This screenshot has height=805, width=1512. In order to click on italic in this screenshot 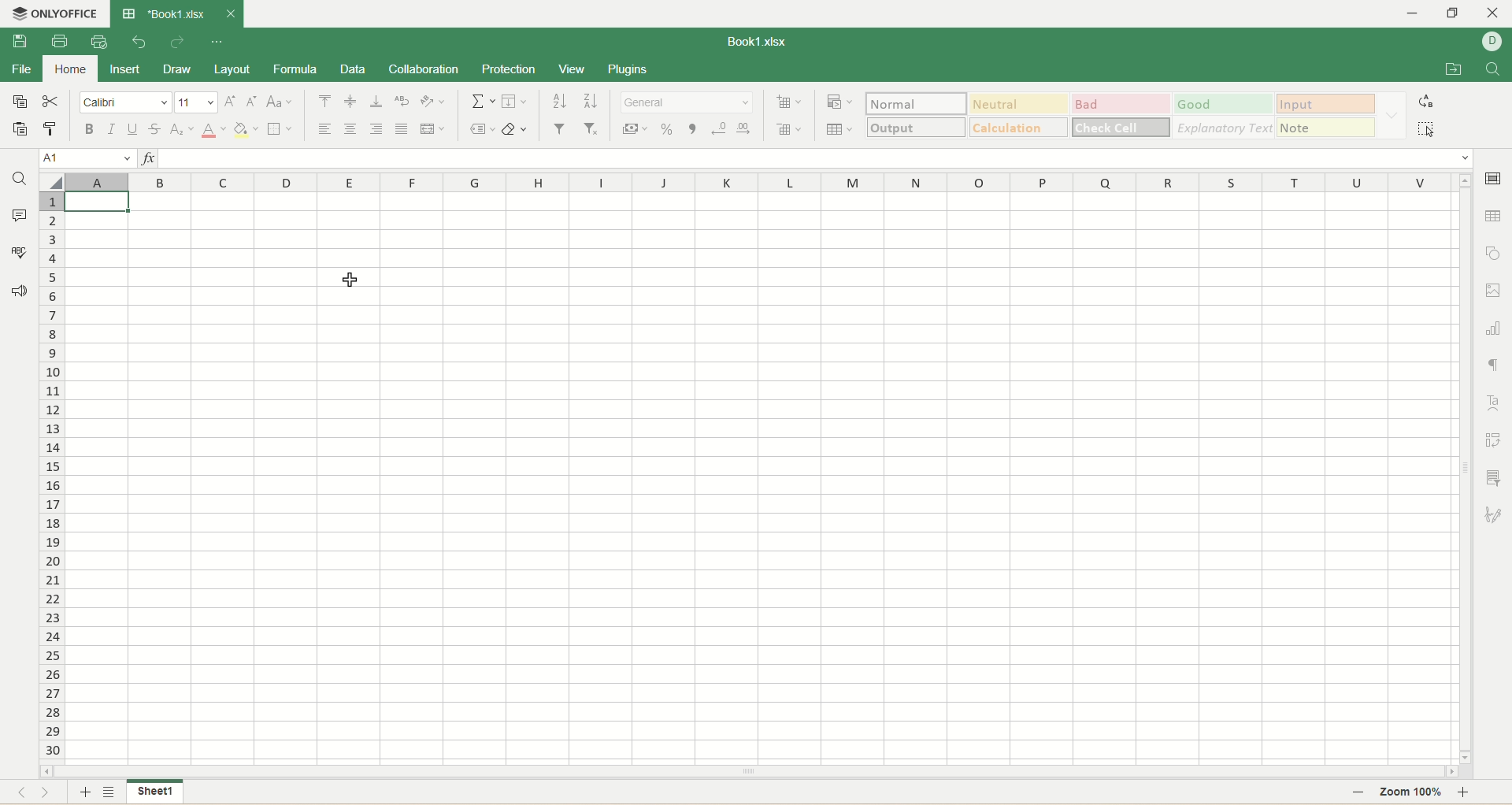, I will do `click(112, 130)`.